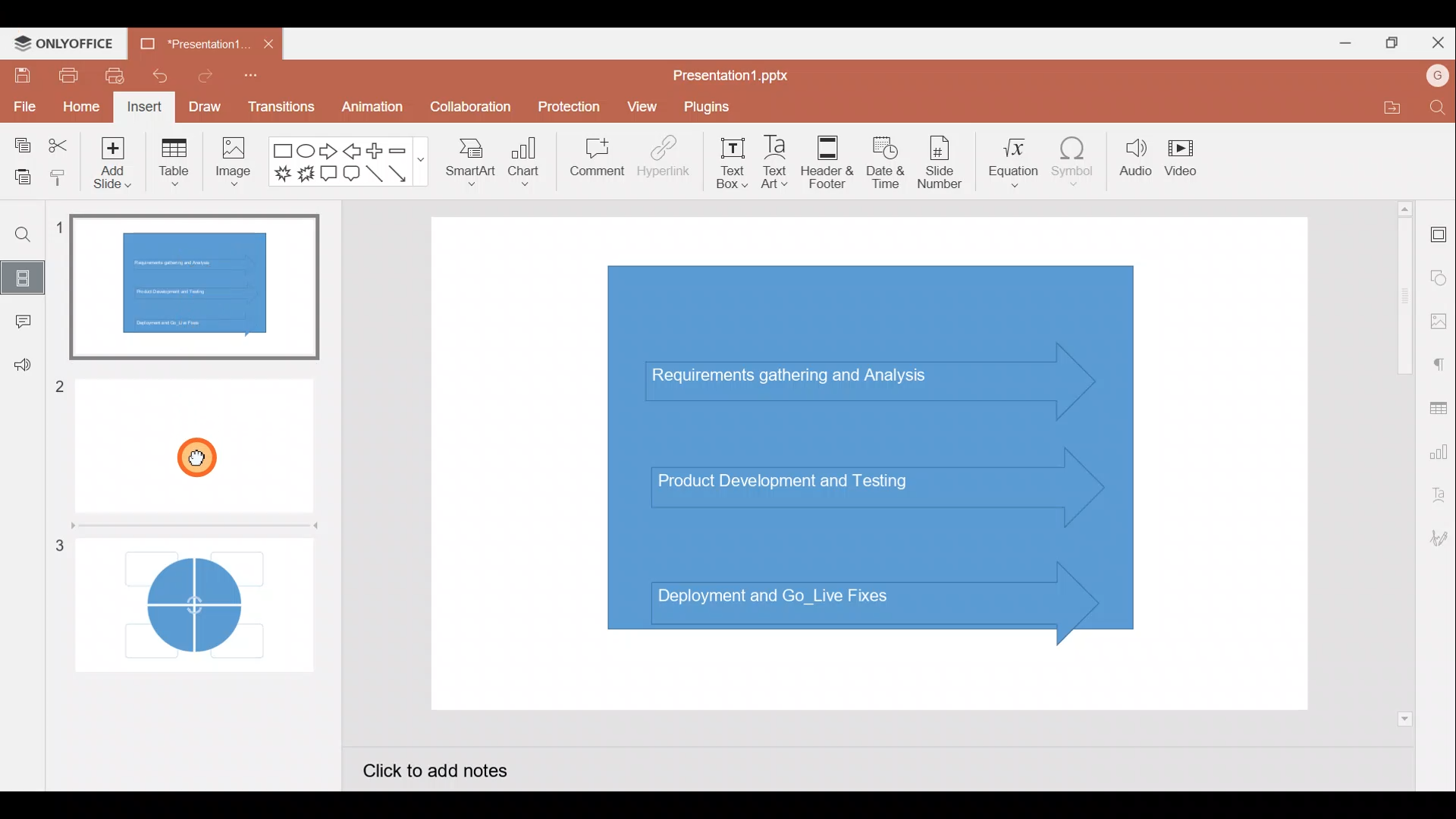  I want to click on Shape settings, so click(1439, 272).